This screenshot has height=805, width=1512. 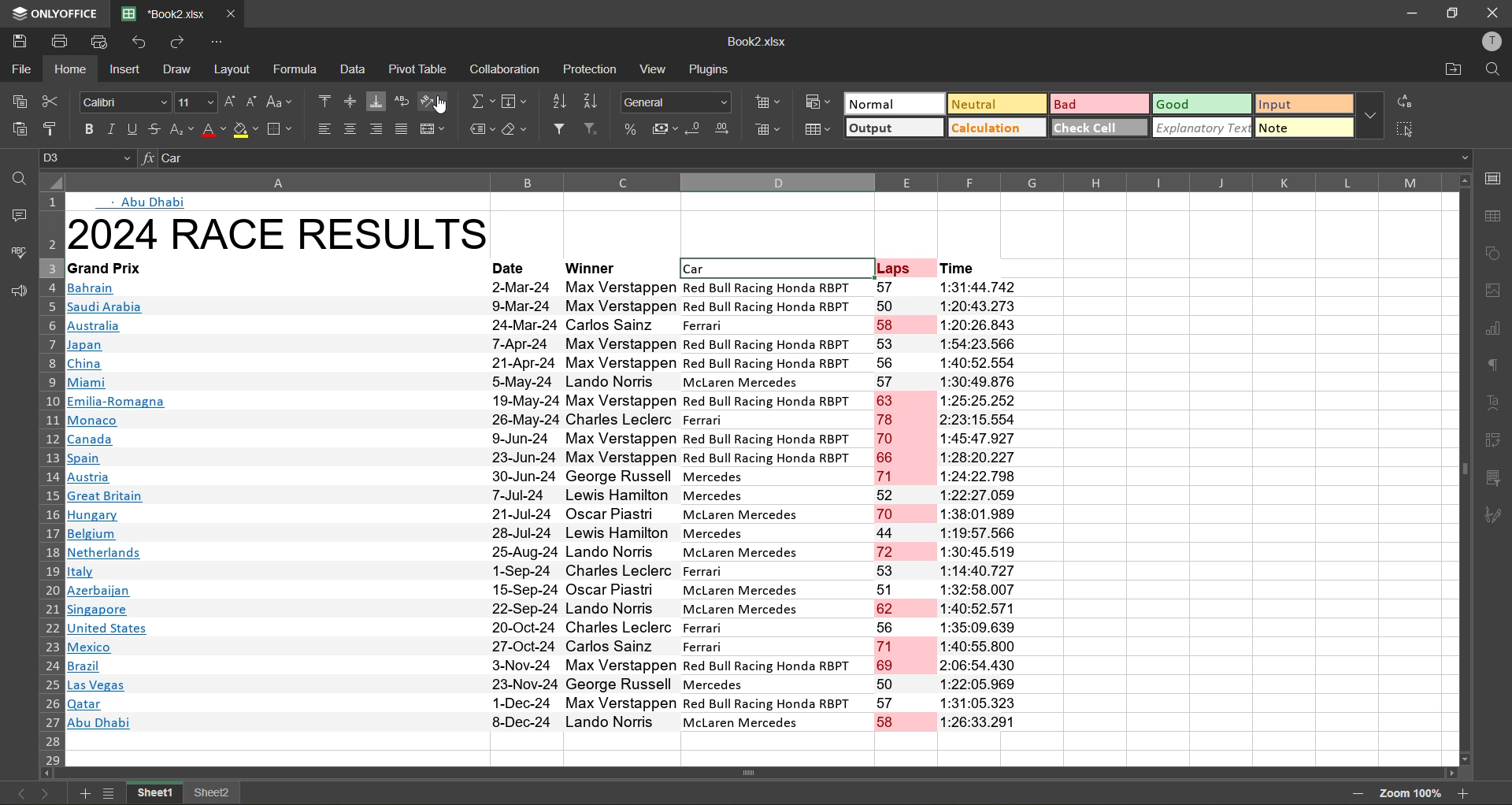 What do you see at coordinates (598, 778) in the screenshot?
I see `Scrollbar` at bounding box center [598, 778].